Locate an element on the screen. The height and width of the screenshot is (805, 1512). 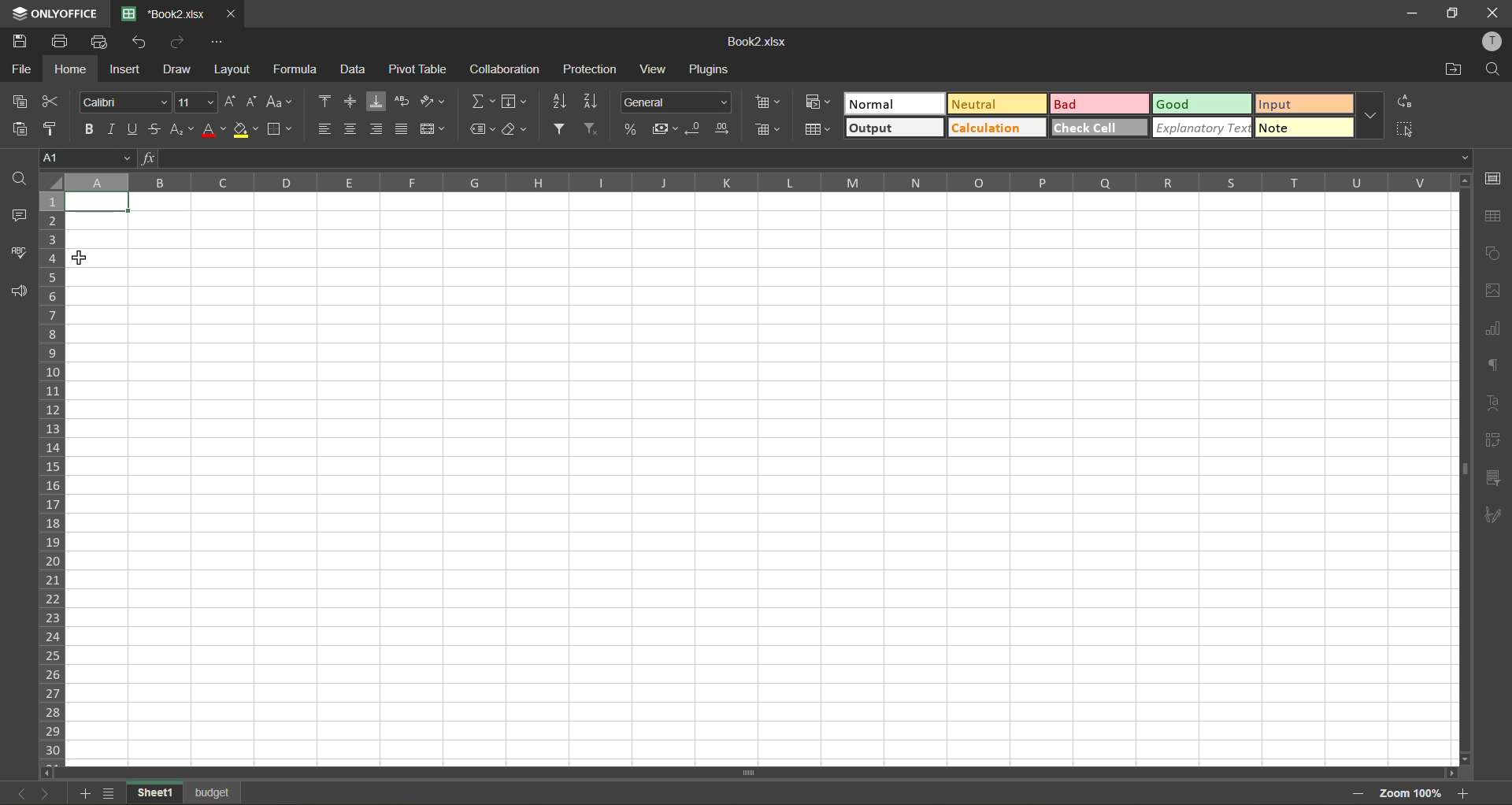
home is located at coordinates (66, 70).